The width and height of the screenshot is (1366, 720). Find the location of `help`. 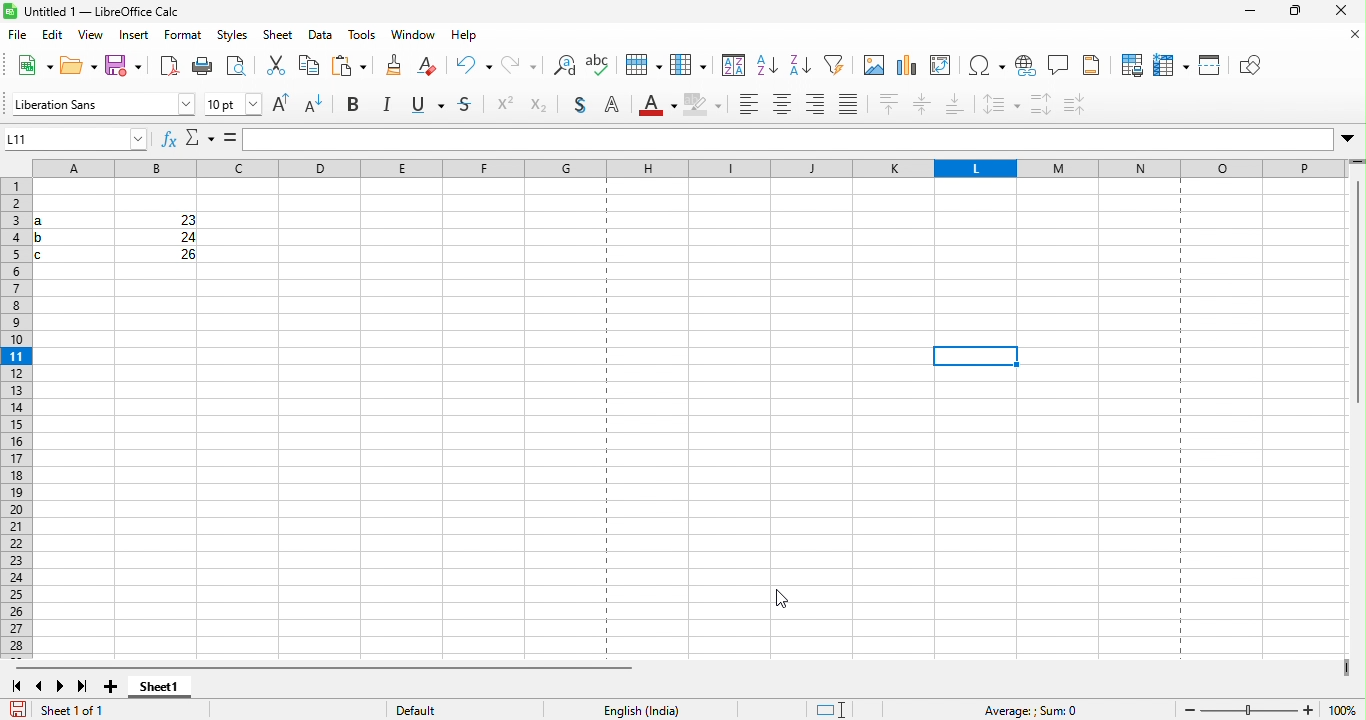

help is located at coordinates (461, 37).